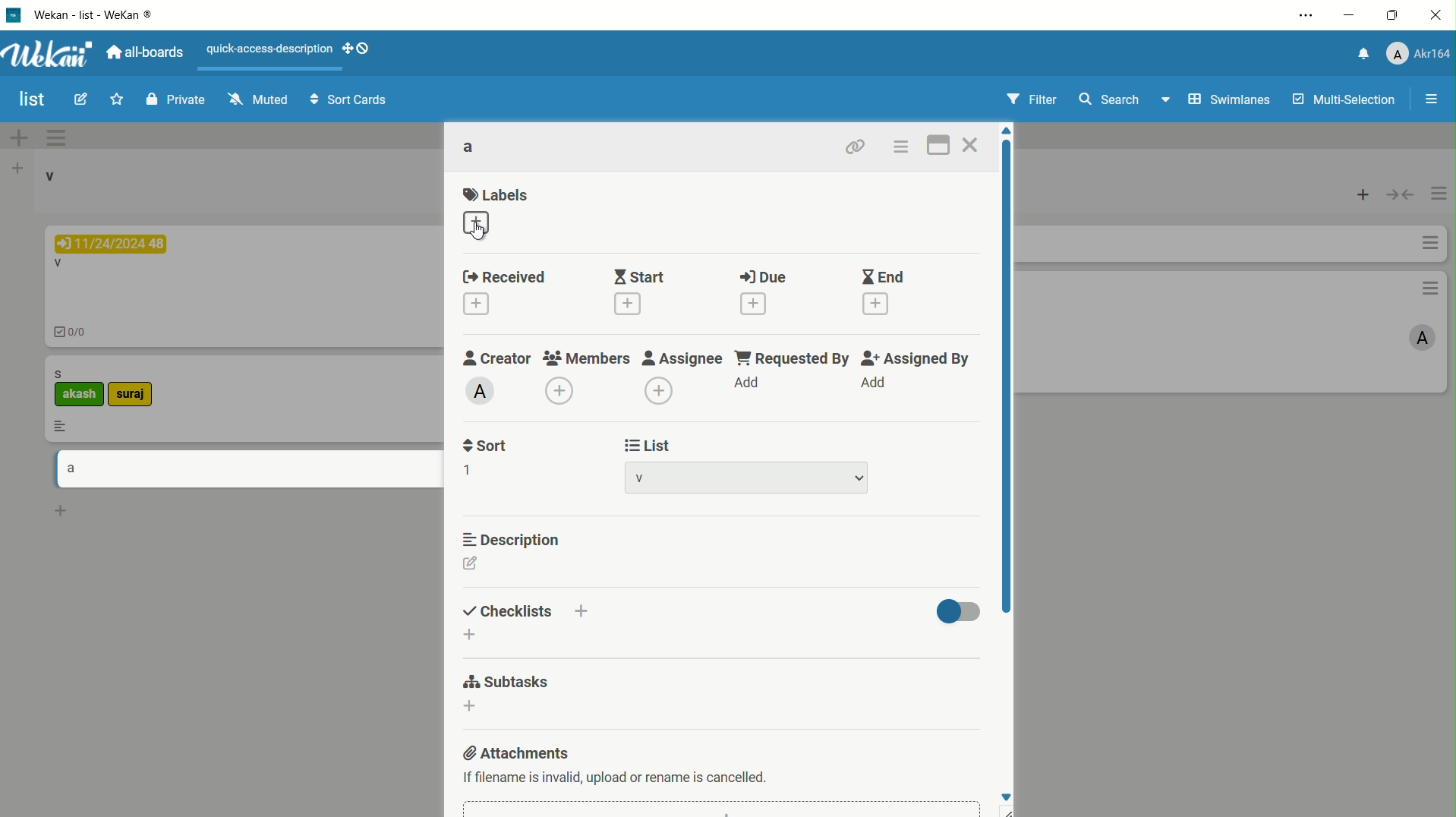 The height and width of the screenshot is (817, 1456). I want to click on quick-access-description, so click(271, 50).